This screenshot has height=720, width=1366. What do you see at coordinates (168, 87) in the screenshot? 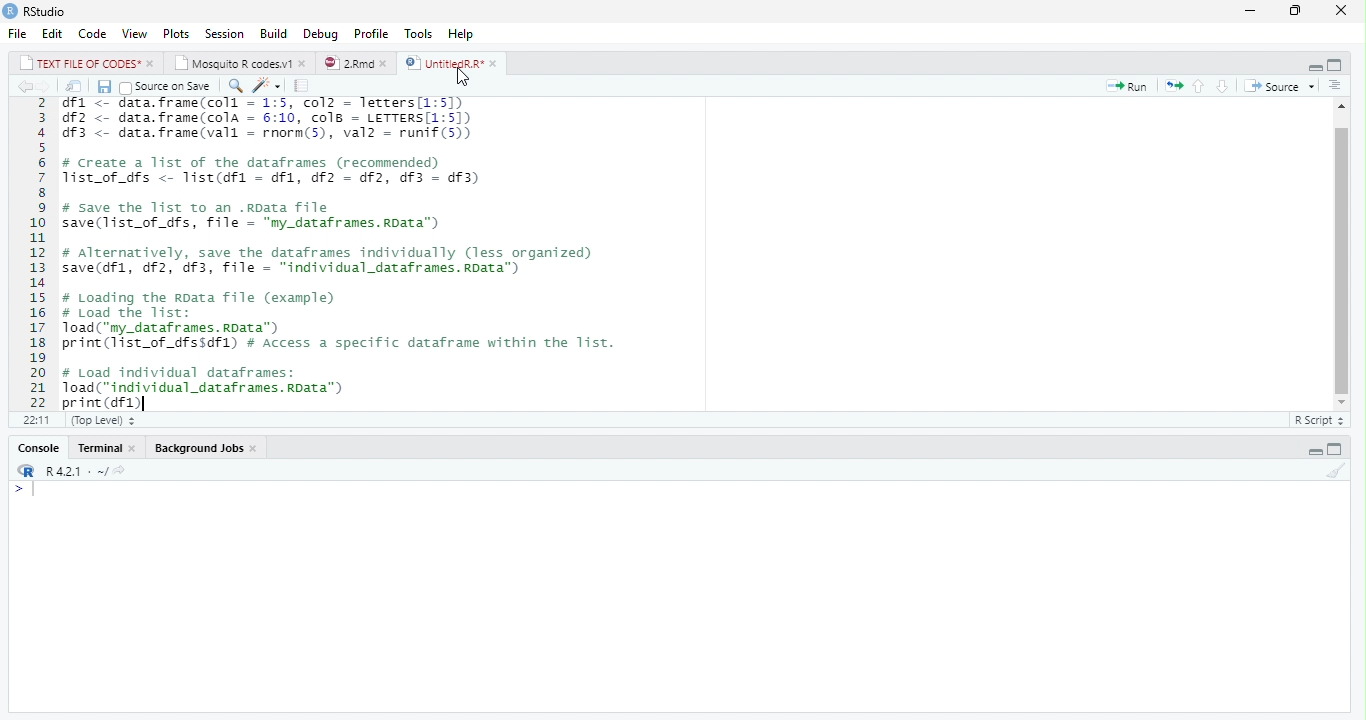
I see `Source on Save` at bounding box center [168, 87].